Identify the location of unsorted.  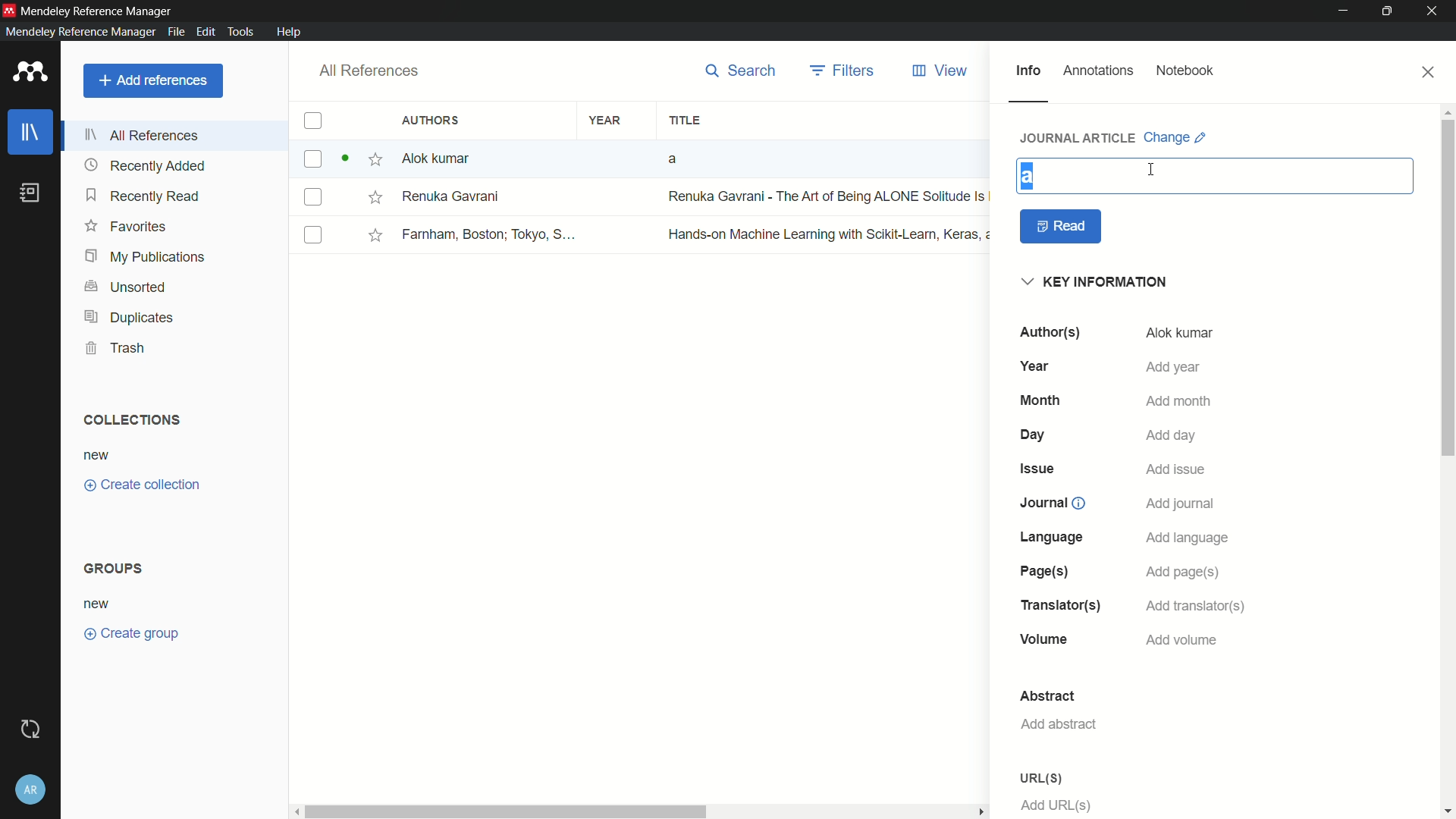
(127, 288).